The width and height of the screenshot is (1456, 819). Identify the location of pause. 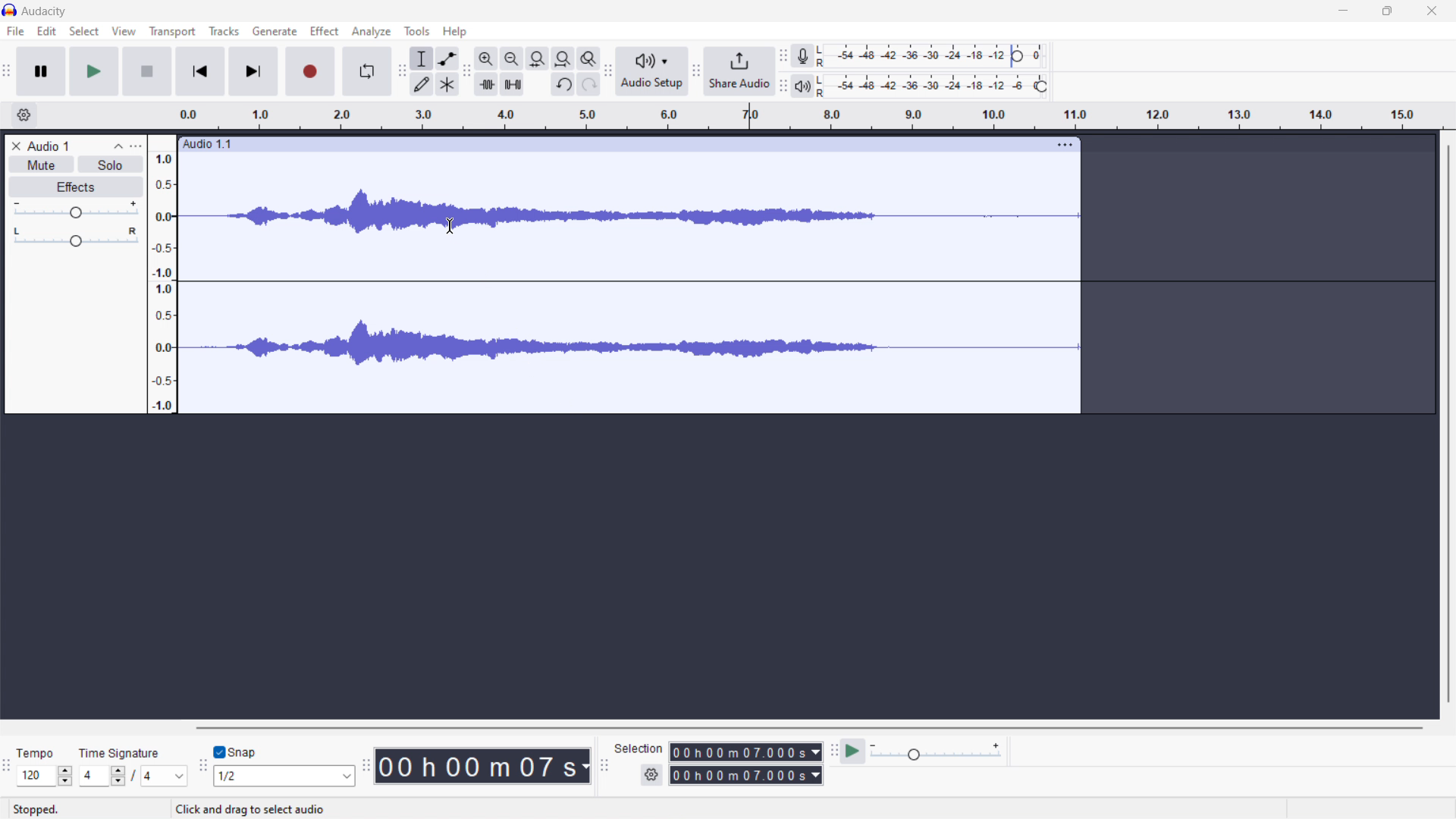
(40, 71).